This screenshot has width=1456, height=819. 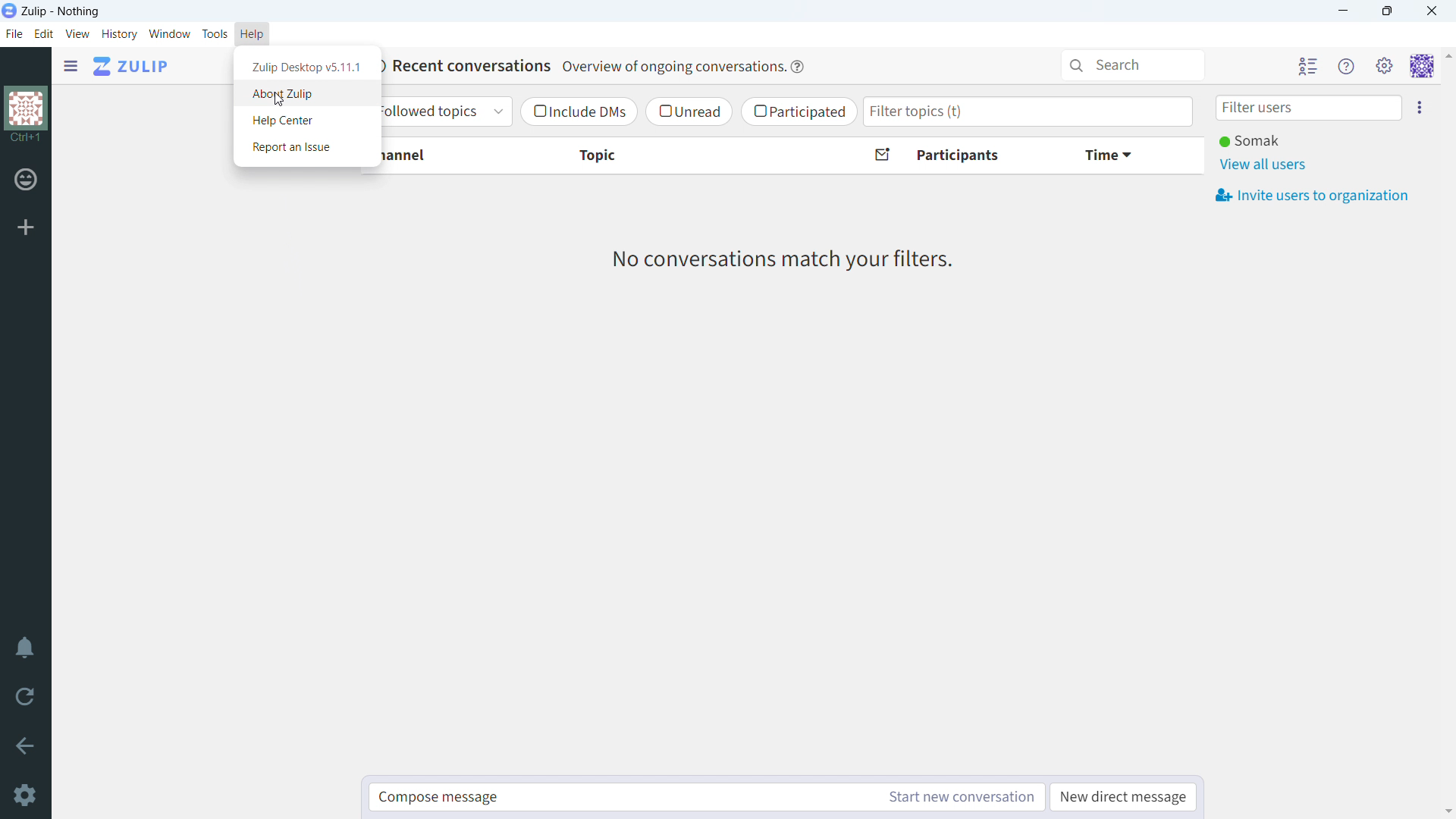 I want to click on Followed topics, so click(x=444, y=111).